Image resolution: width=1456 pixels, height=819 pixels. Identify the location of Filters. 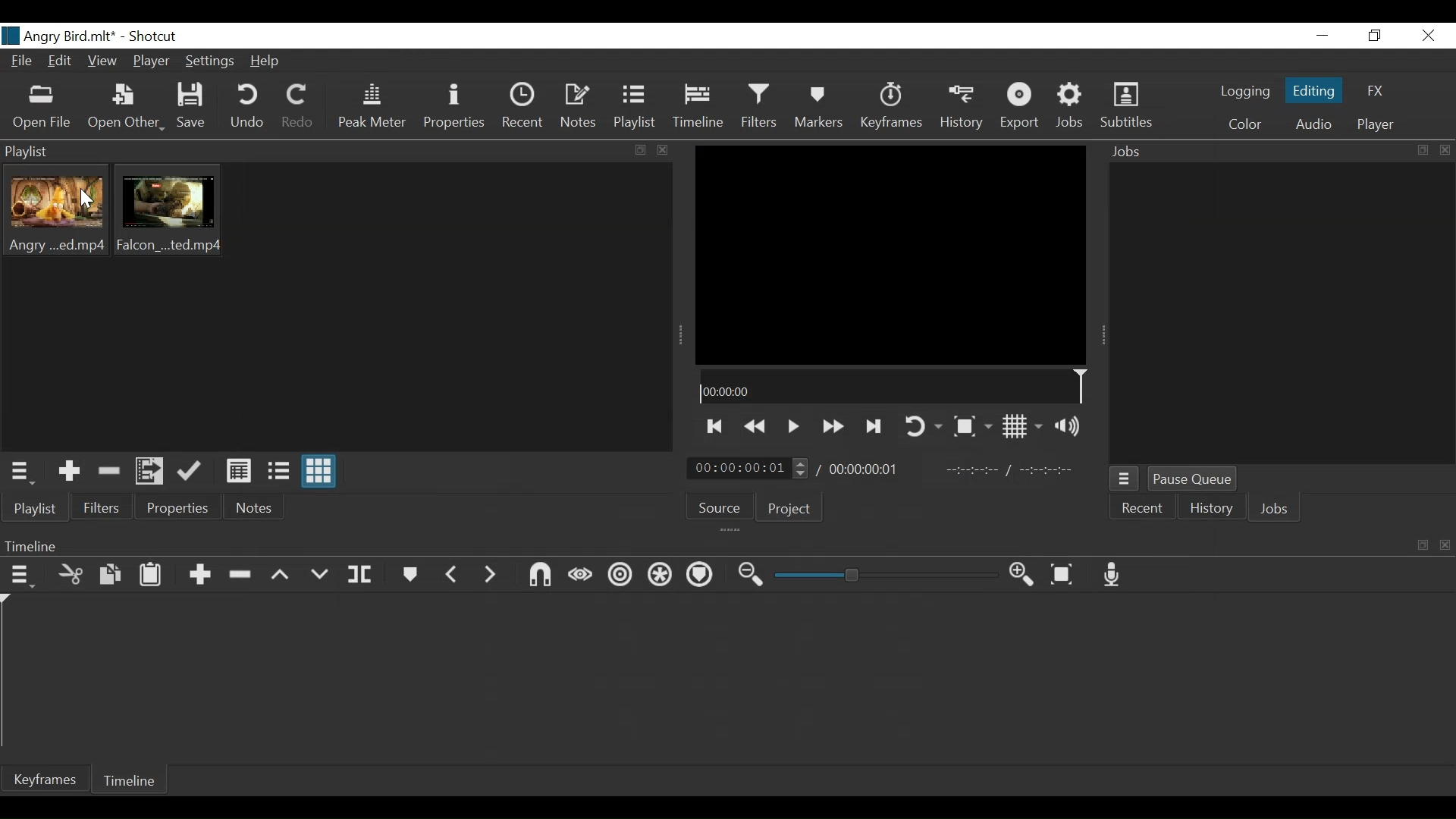
(761, 107).